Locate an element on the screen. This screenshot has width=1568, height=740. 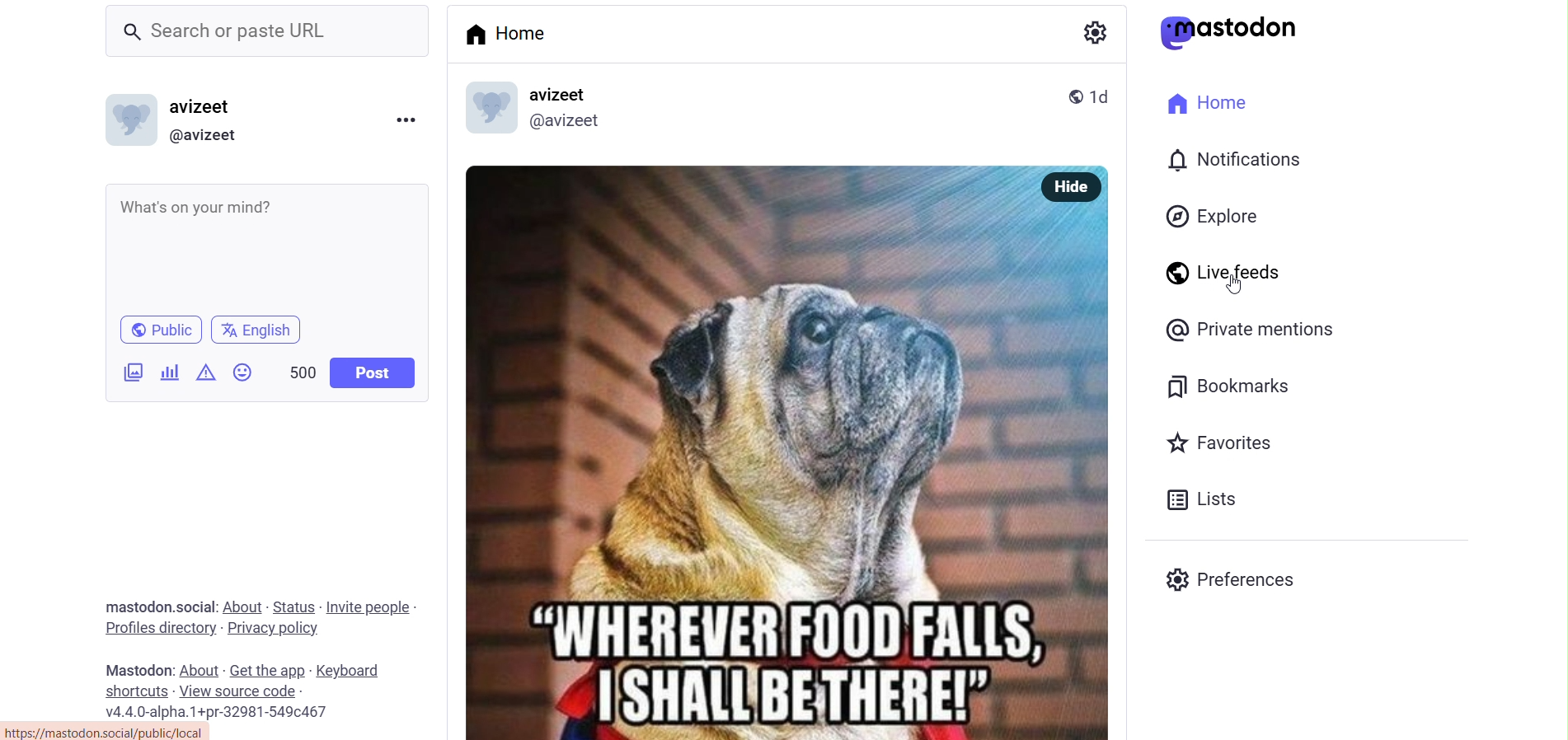
short cuts is located at coordinates (133, 691).